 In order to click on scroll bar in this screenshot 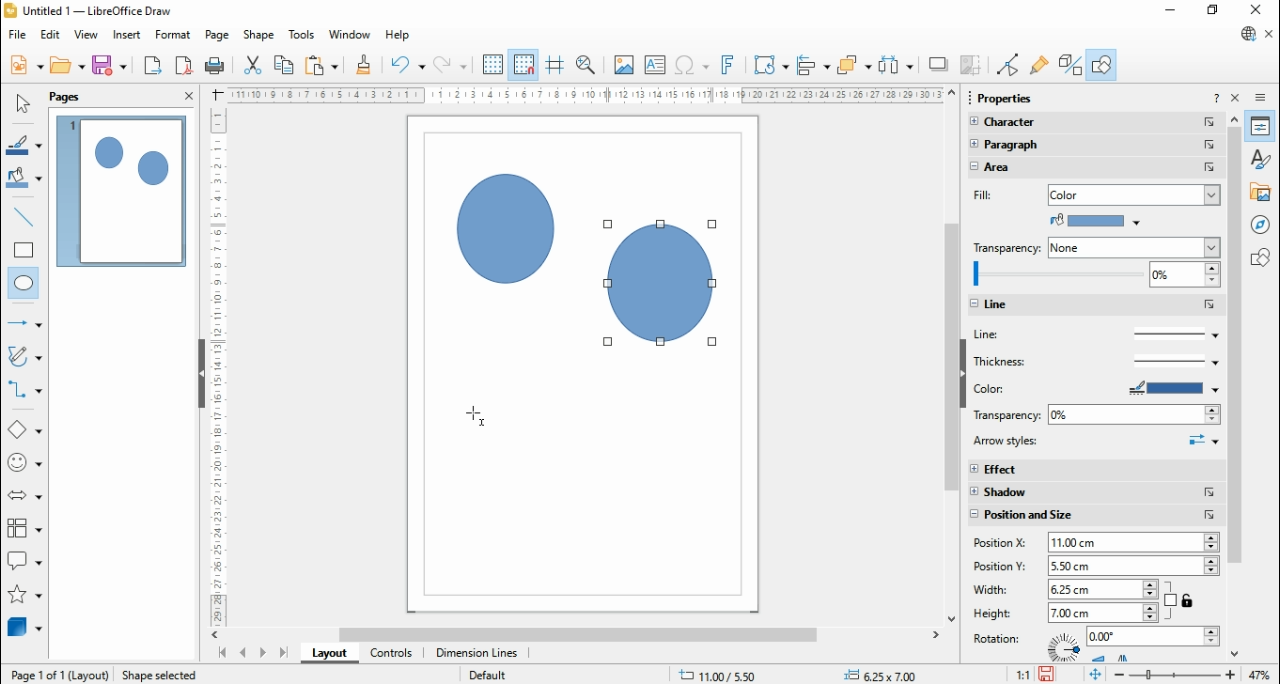, I will do `click(583, 634)`.